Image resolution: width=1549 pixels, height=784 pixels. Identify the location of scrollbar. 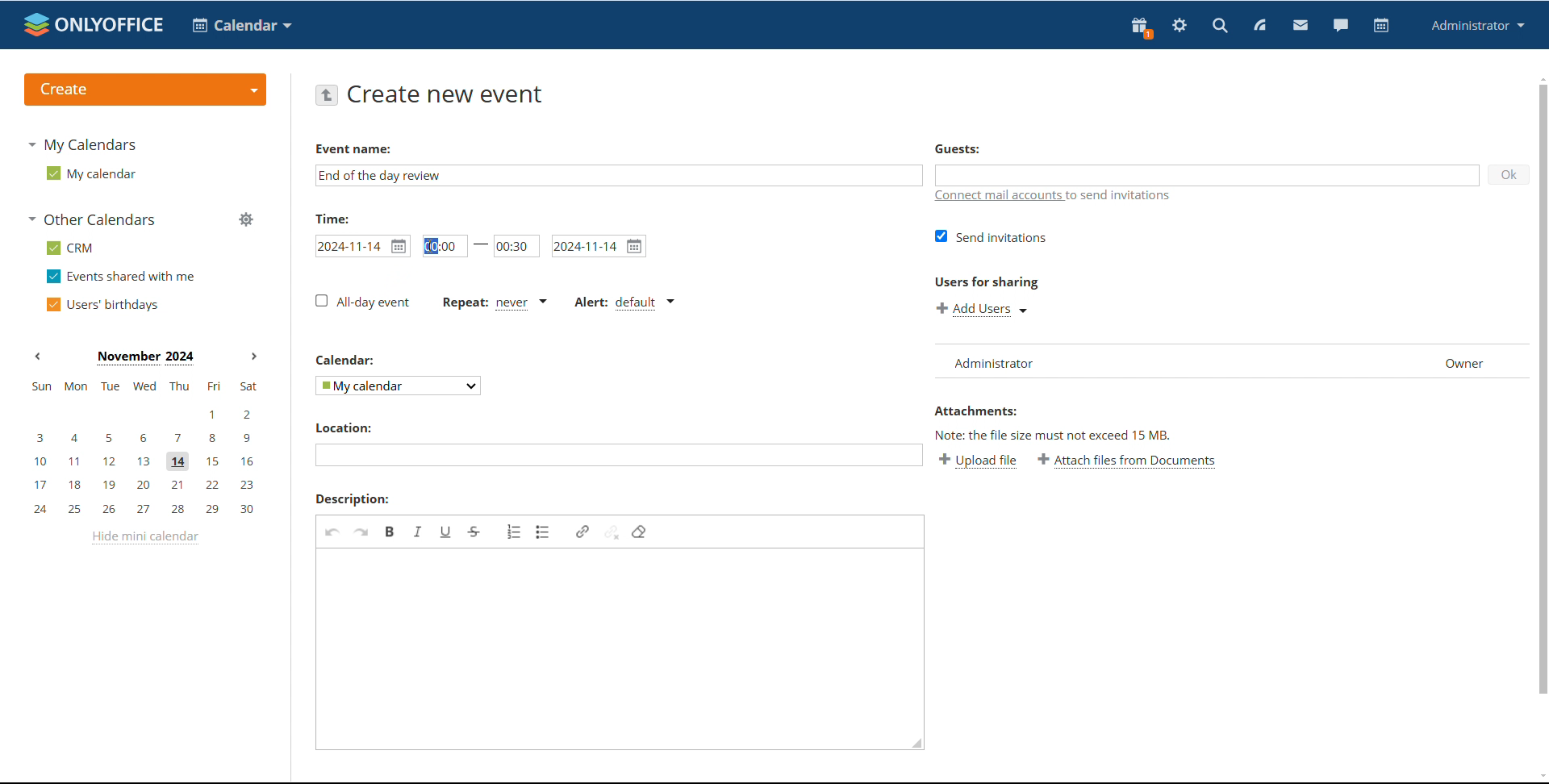
(1543, 389).